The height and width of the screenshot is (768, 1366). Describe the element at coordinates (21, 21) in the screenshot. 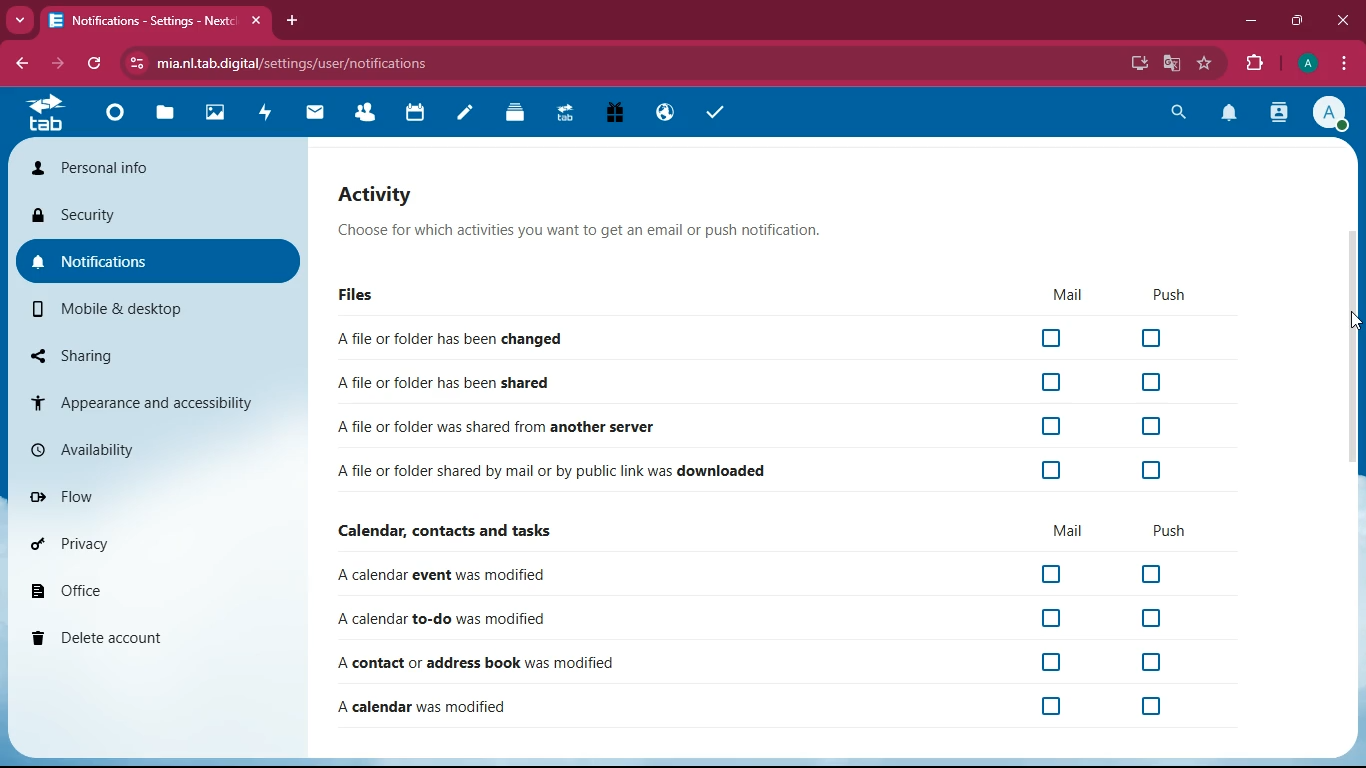

I see `Drop down` at that location.